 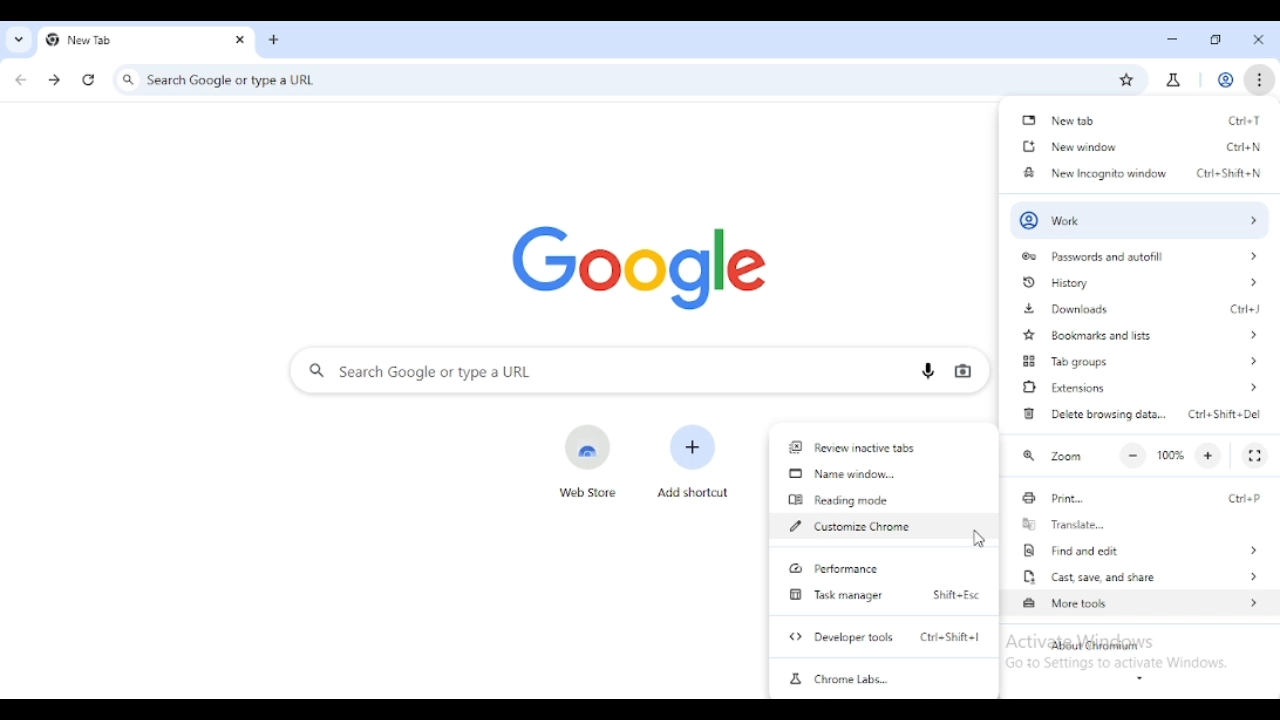 I want to click on shortcut for developer tools, so click(x=950, y=636).